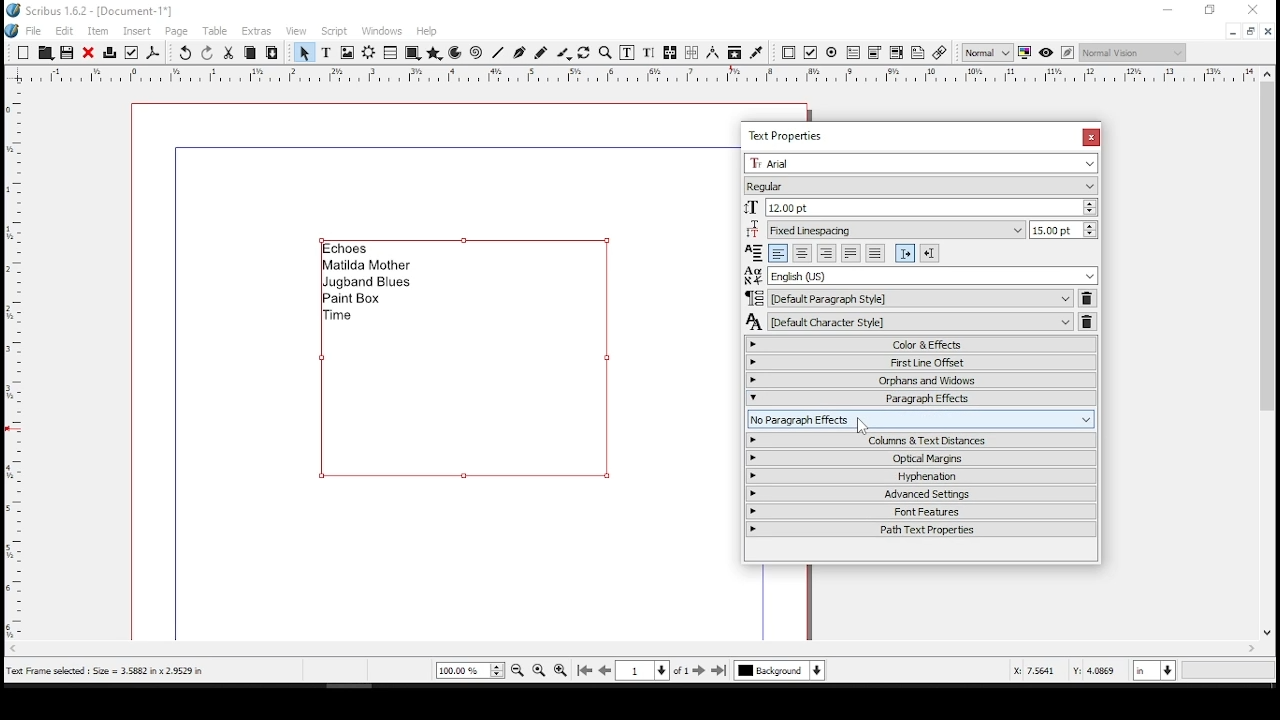 The height and width of the screenshot is (720, 1280). What do you see at coordinates (918, 186) in the screenshot?
I see `font type` at bounding box center [918, 186].